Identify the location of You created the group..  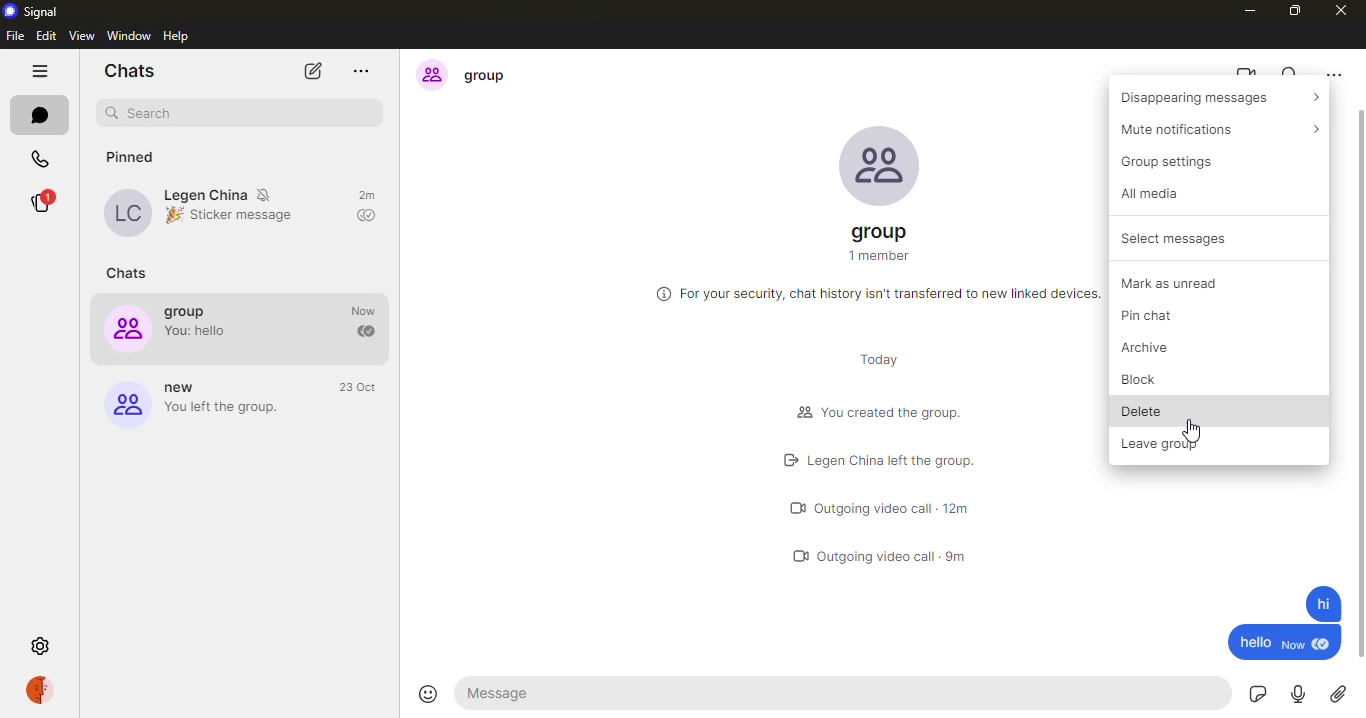
(898, 413).